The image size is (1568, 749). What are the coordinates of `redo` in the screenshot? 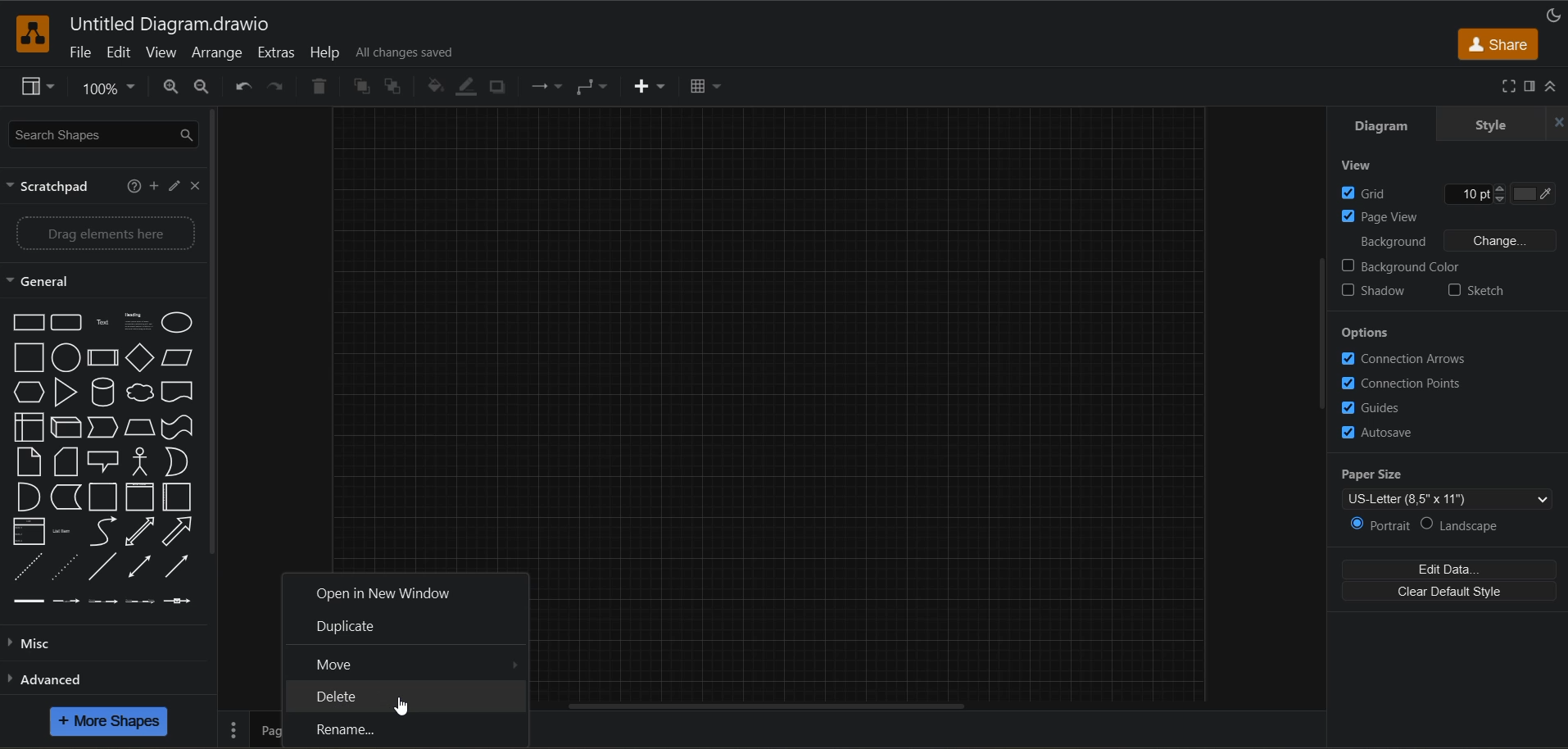 It's located at (279, 87).